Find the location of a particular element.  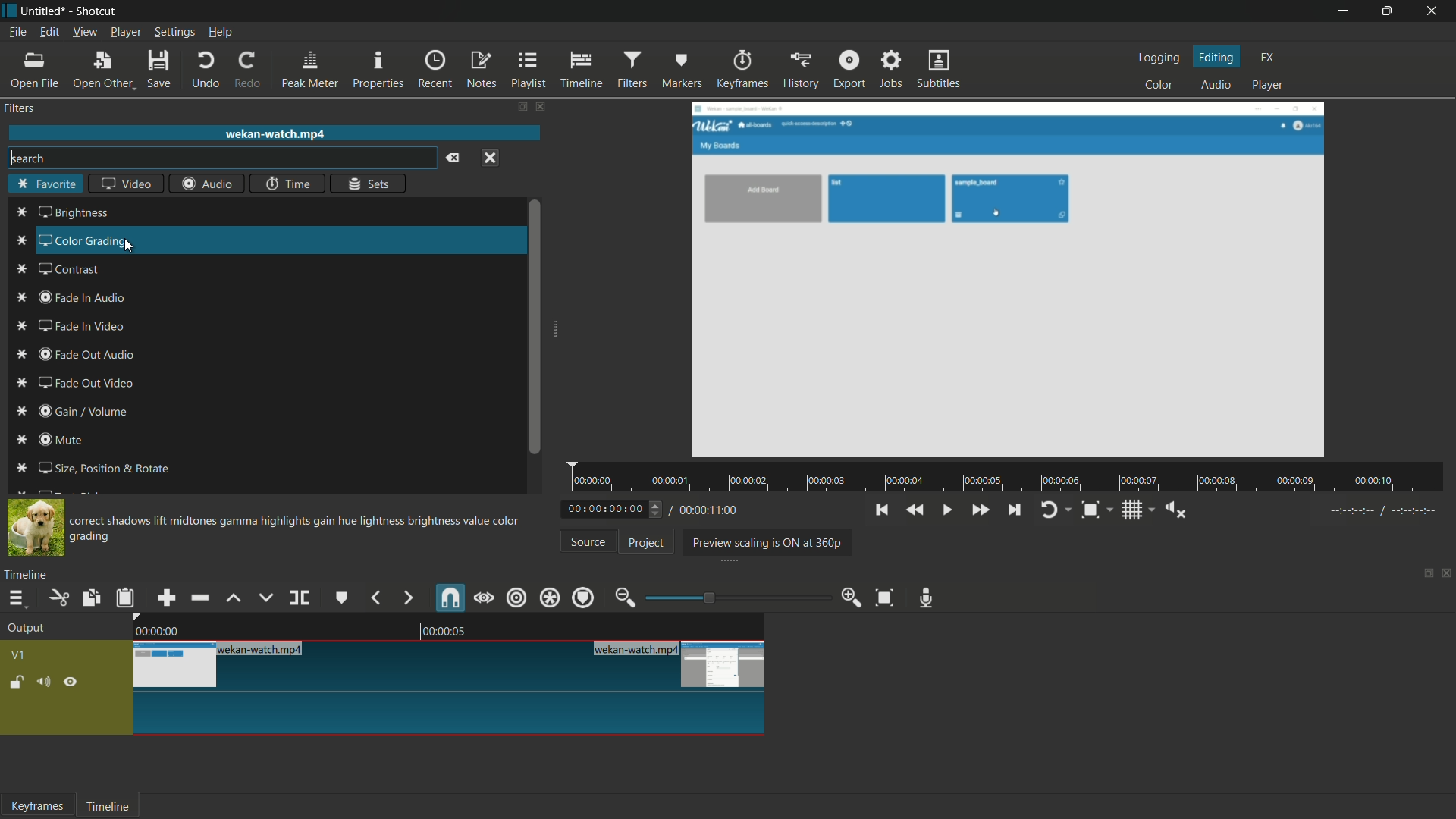

brightness is located at coordinates (63, 212).